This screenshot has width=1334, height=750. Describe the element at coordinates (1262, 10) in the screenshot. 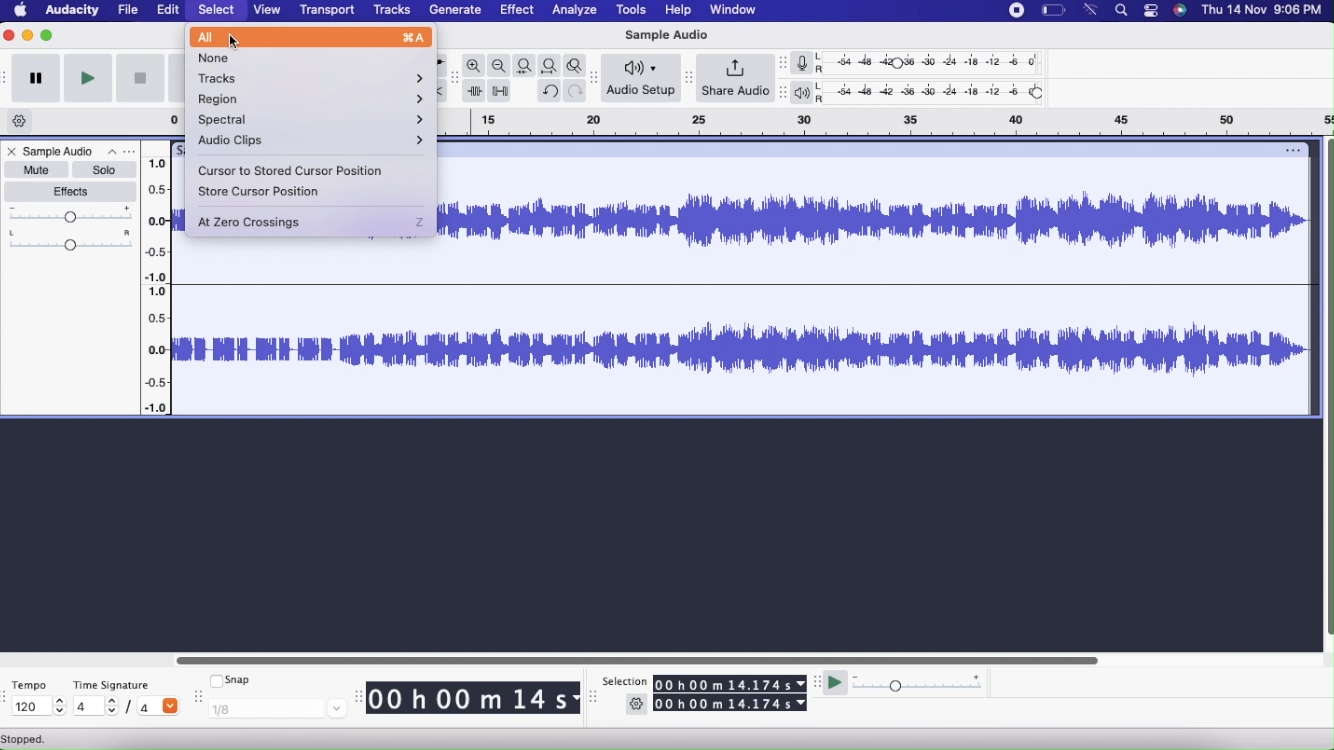

I see `Date & time` at that location.